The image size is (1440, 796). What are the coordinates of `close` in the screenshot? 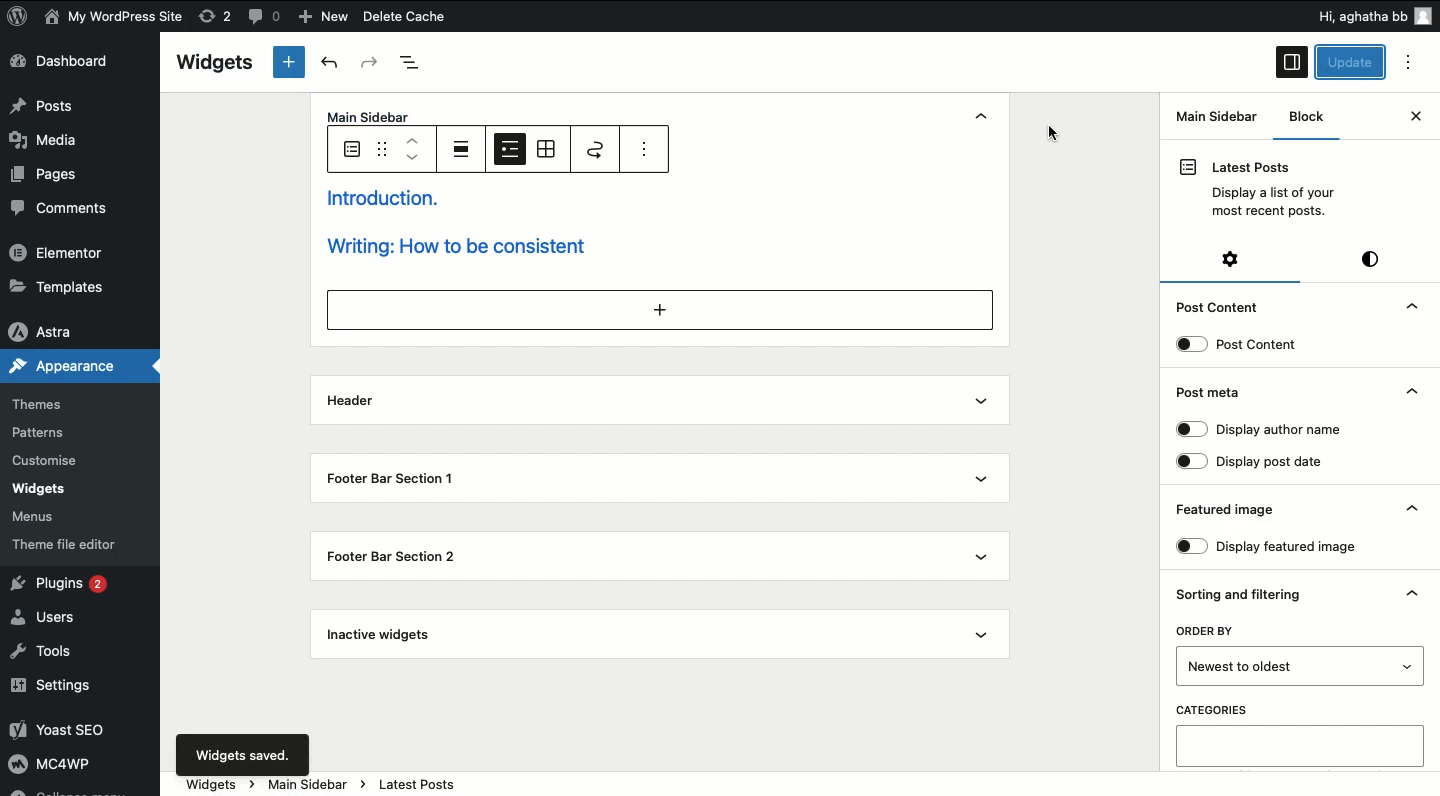 It's located at (1419, 114).